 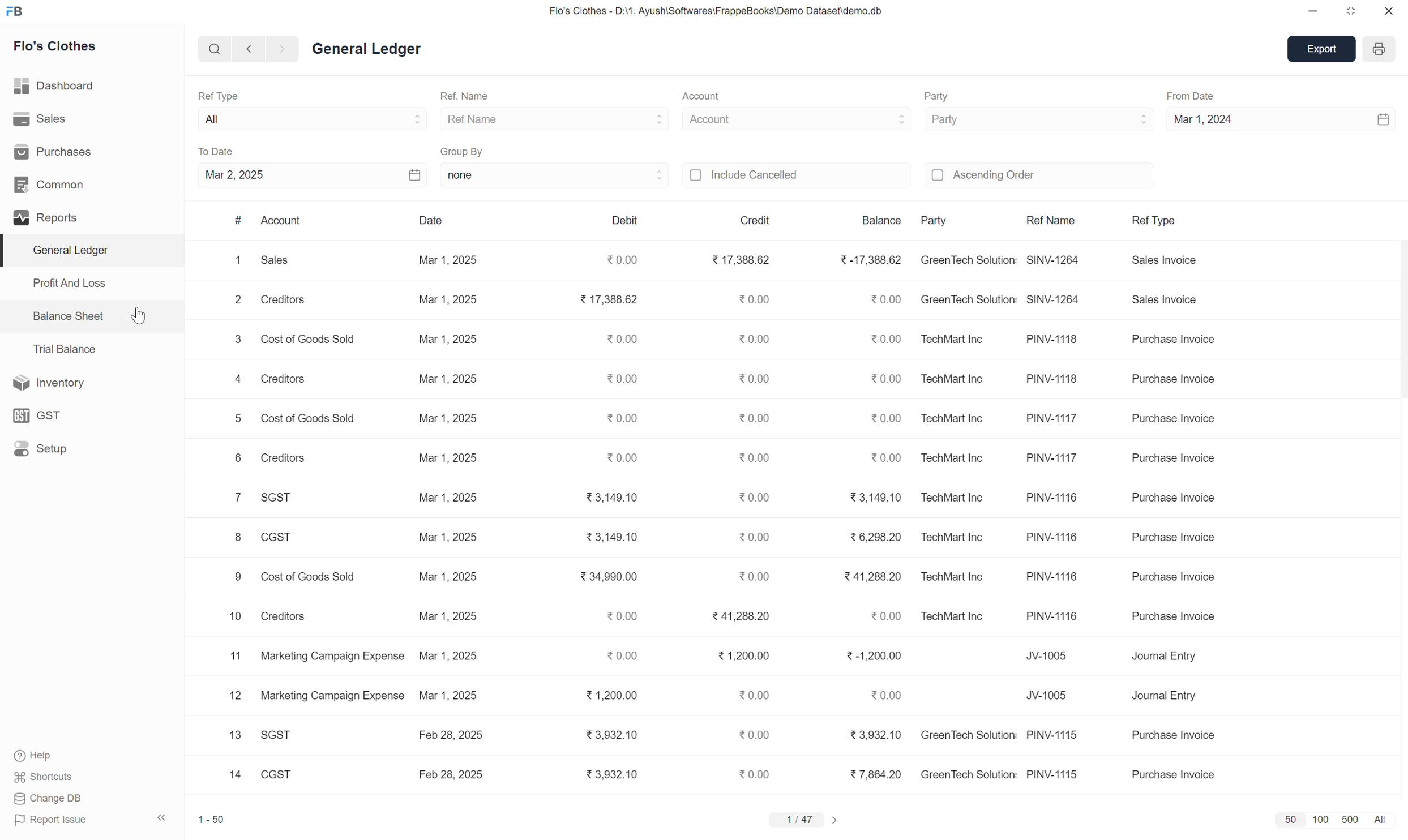 I want to click on 4, so click(x=239, y=378).